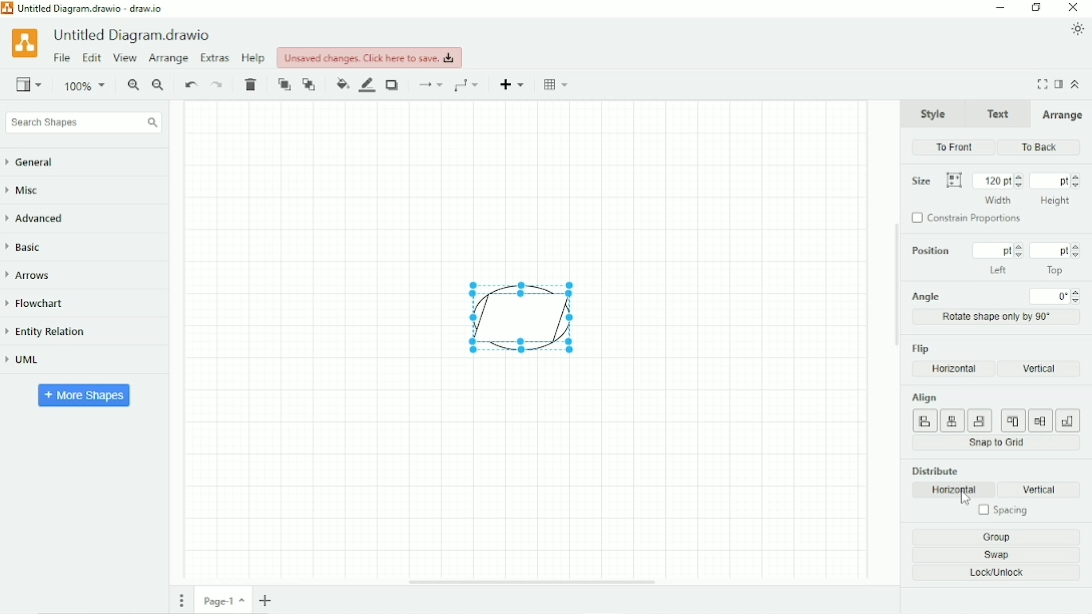 The height and width of the screenshot is (614, 1092). What do you see at coordinates (1078, 29) in the screenshot?
I see `Appearance` at bounding box center [1078, 29].